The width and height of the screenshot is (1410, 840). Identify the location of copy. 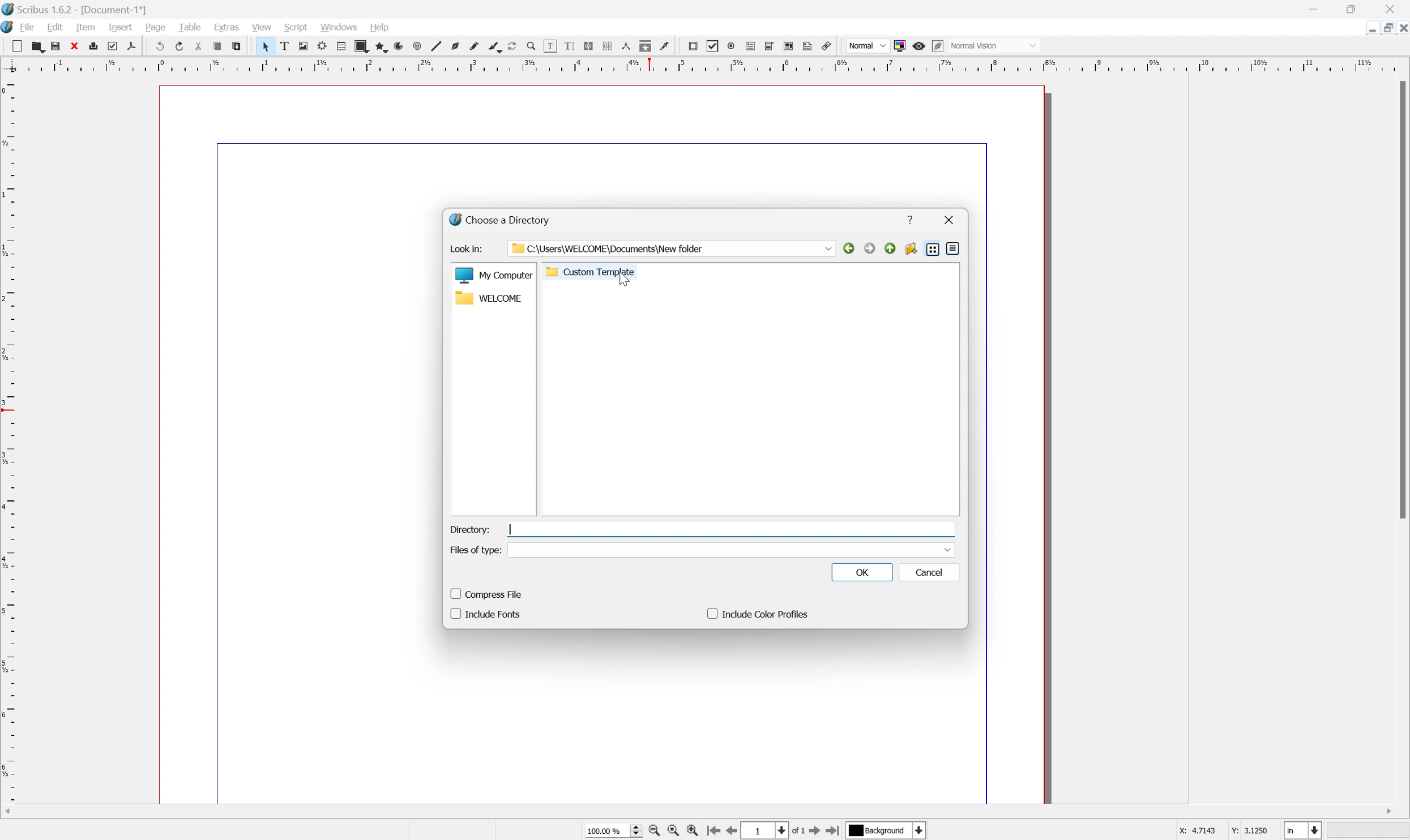
(218, 46).